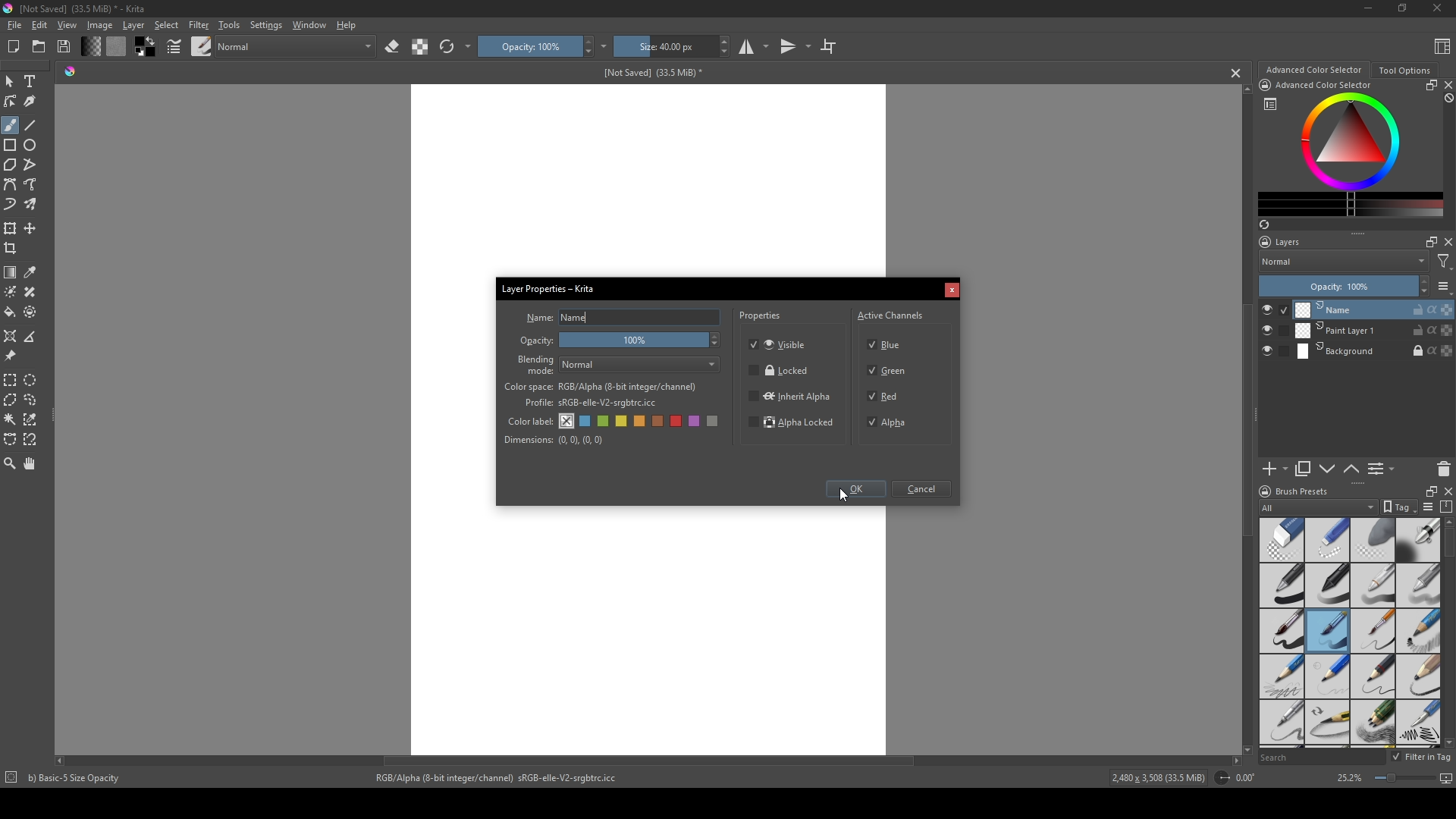 The width and height of the screenshot is (1456, 819). Describe the element at coordinates (1418, 724) in the screenshot. I see `calligraphy pen` at that location.